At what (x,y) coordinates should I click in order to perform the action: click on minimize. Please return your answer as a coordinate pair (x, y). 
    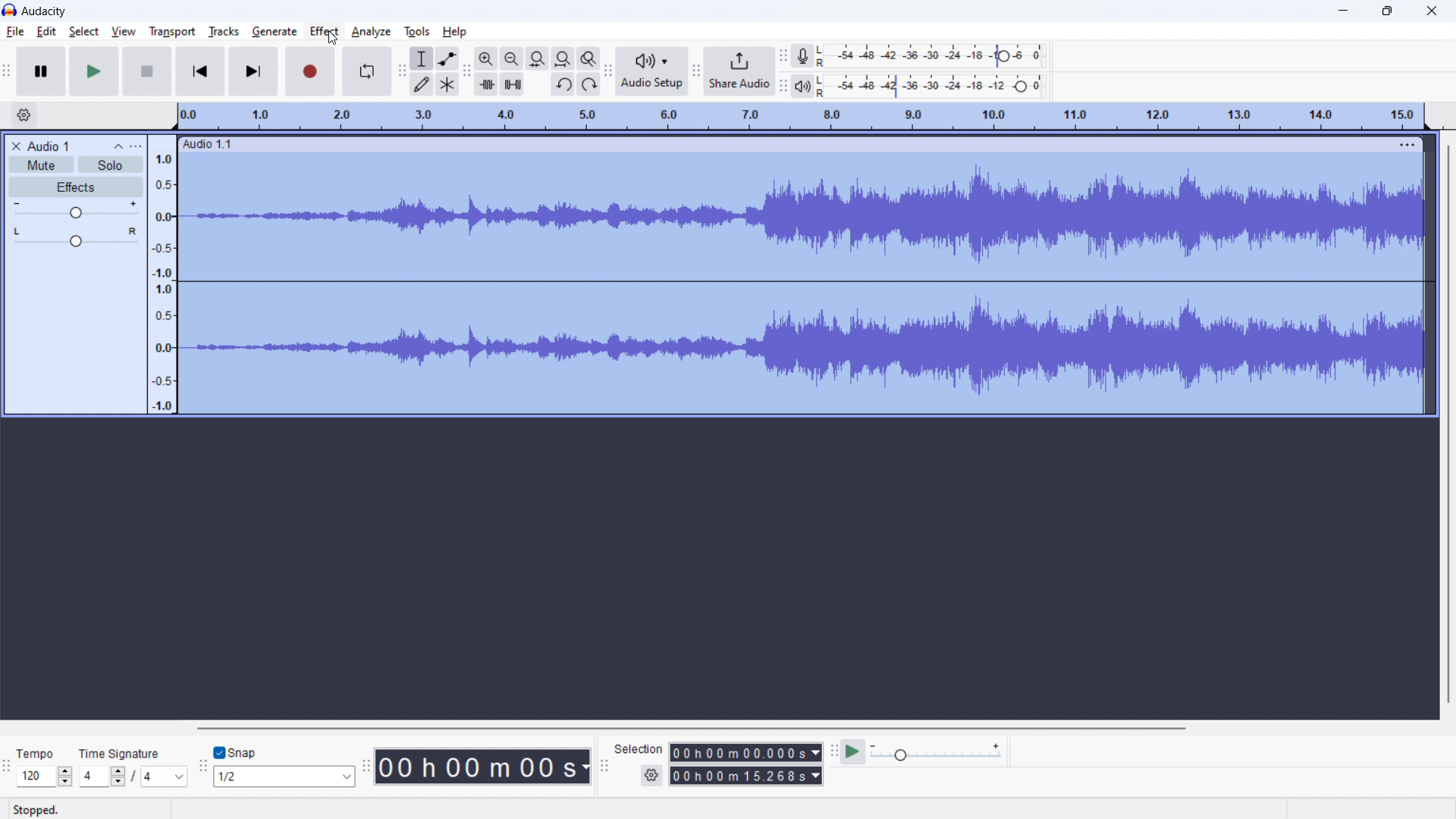
    Looking at the image, I should click on (1342, 11).